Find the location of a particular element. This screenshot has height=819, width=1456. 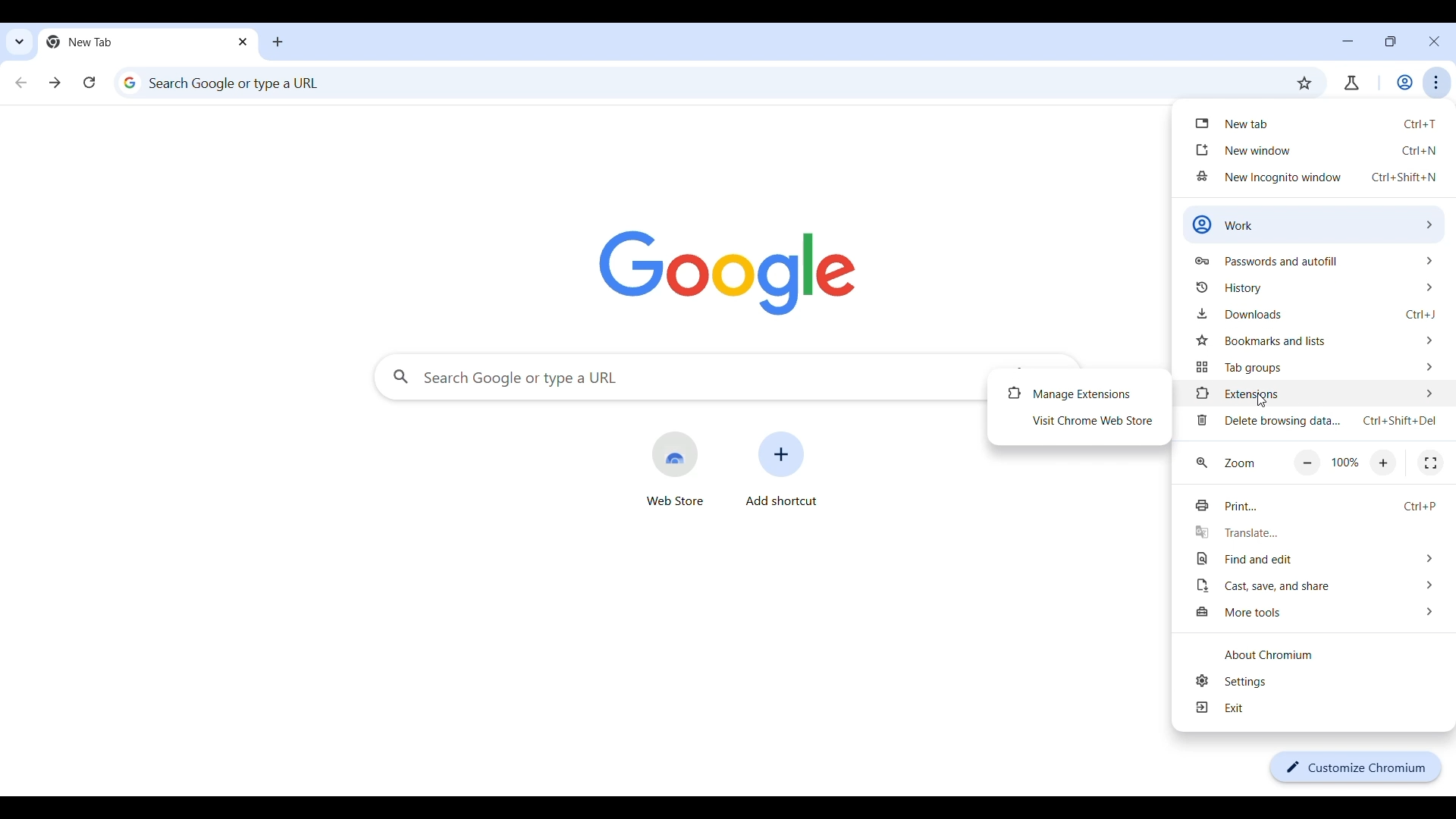

Work is located at coordinates (1404, 82).